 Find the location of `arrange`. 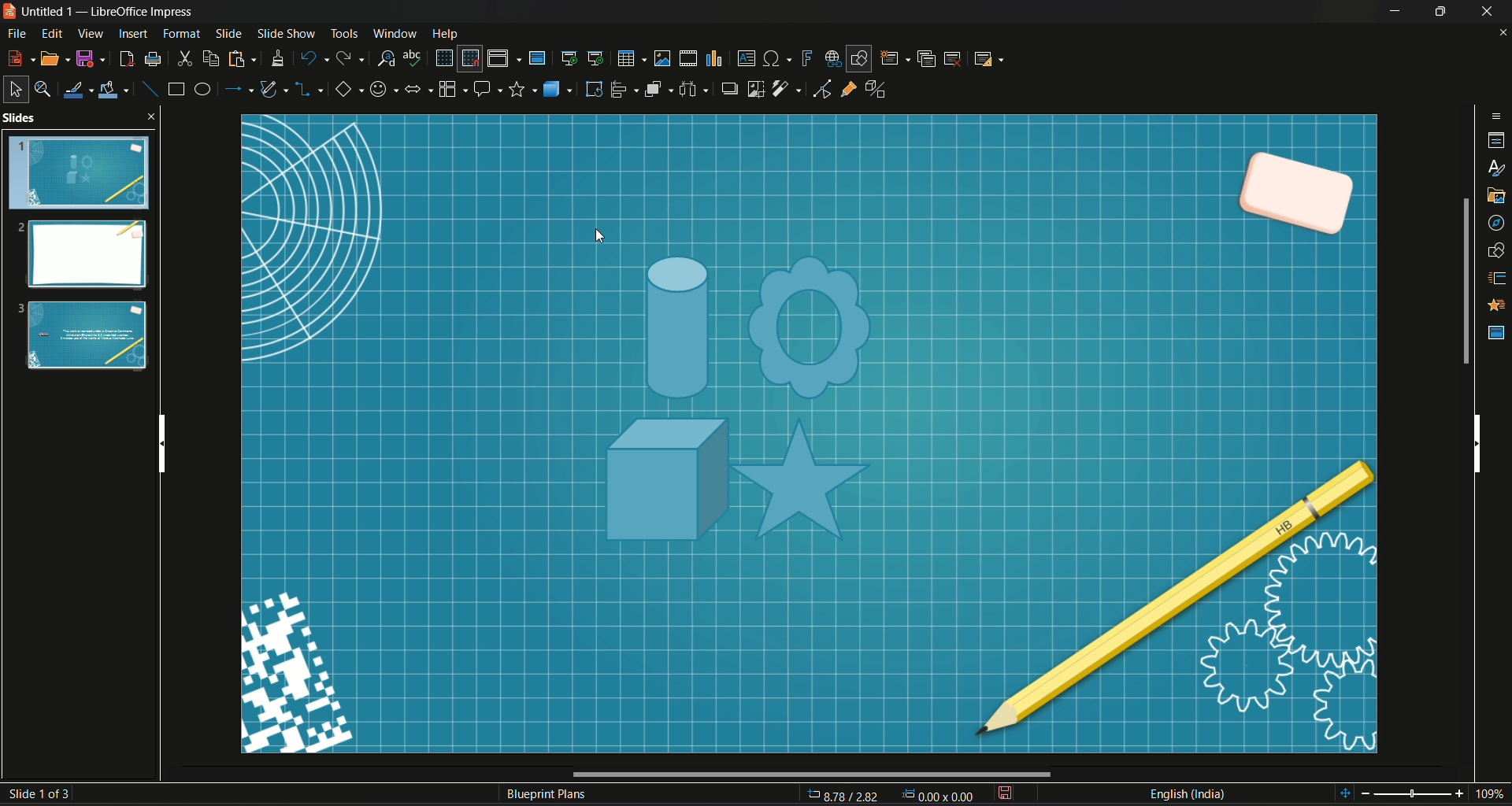

arrange is located at coordinates (658, 90).